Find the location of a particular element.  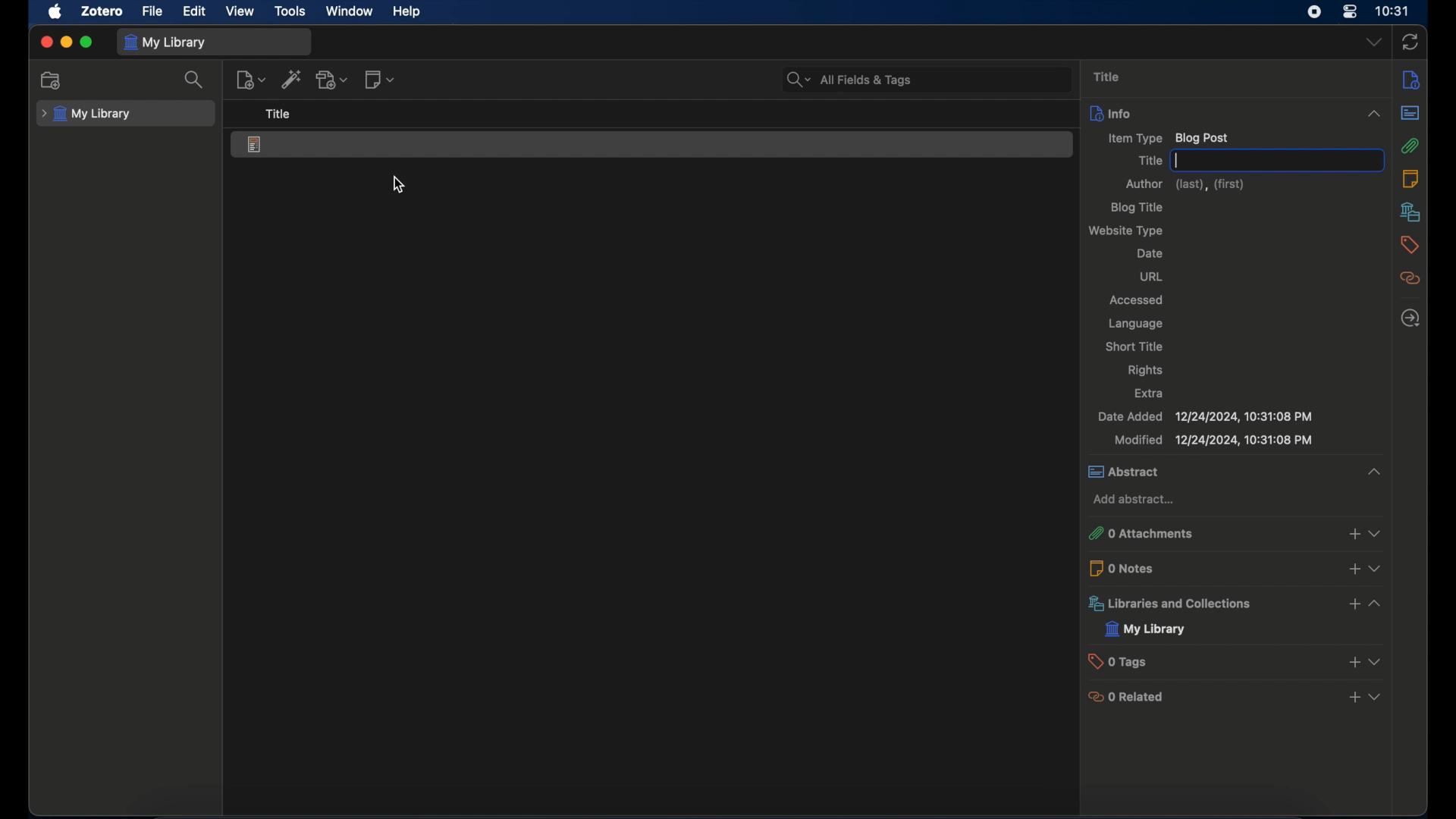

accessed is located at coordinates (1137, 300).